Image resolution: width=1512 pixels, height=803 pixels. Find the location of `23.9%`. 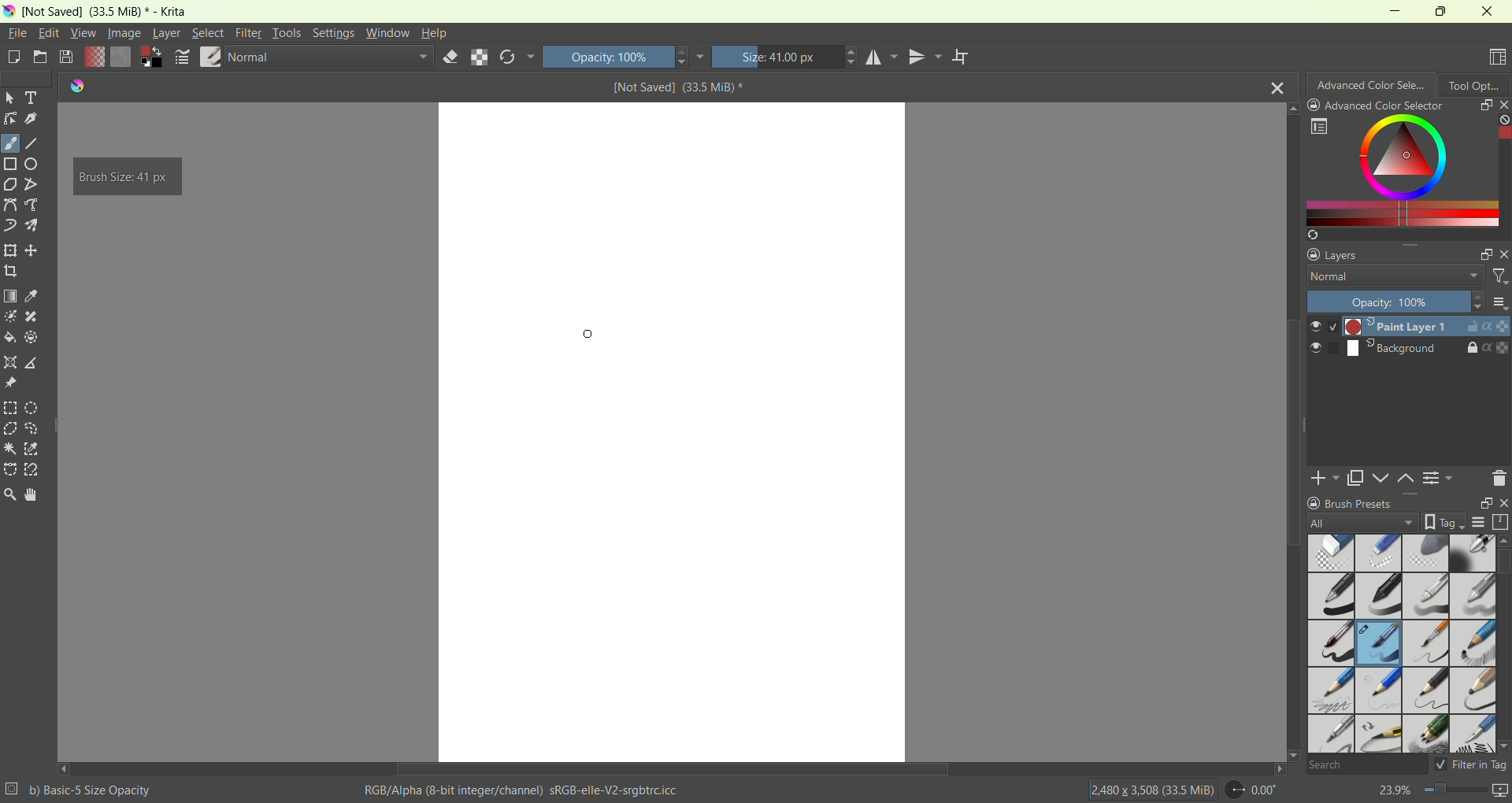

23.9% is located at coordinates (1443, 793).